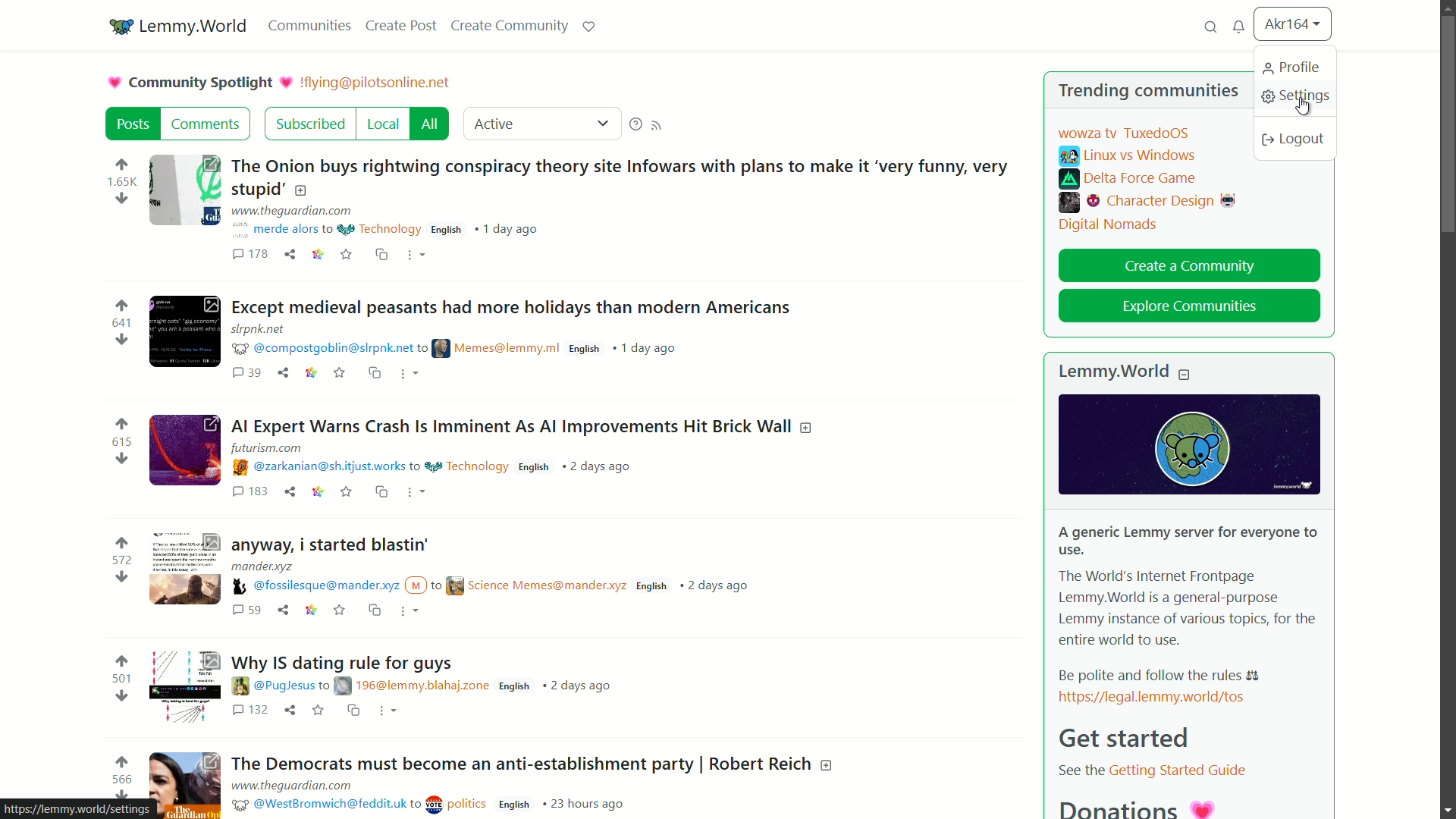 This screenshot has width=1456, height=819. What do you see at coordinates (291, 708) in the screenshot?
I see `share` at bounding box center [291, 708].